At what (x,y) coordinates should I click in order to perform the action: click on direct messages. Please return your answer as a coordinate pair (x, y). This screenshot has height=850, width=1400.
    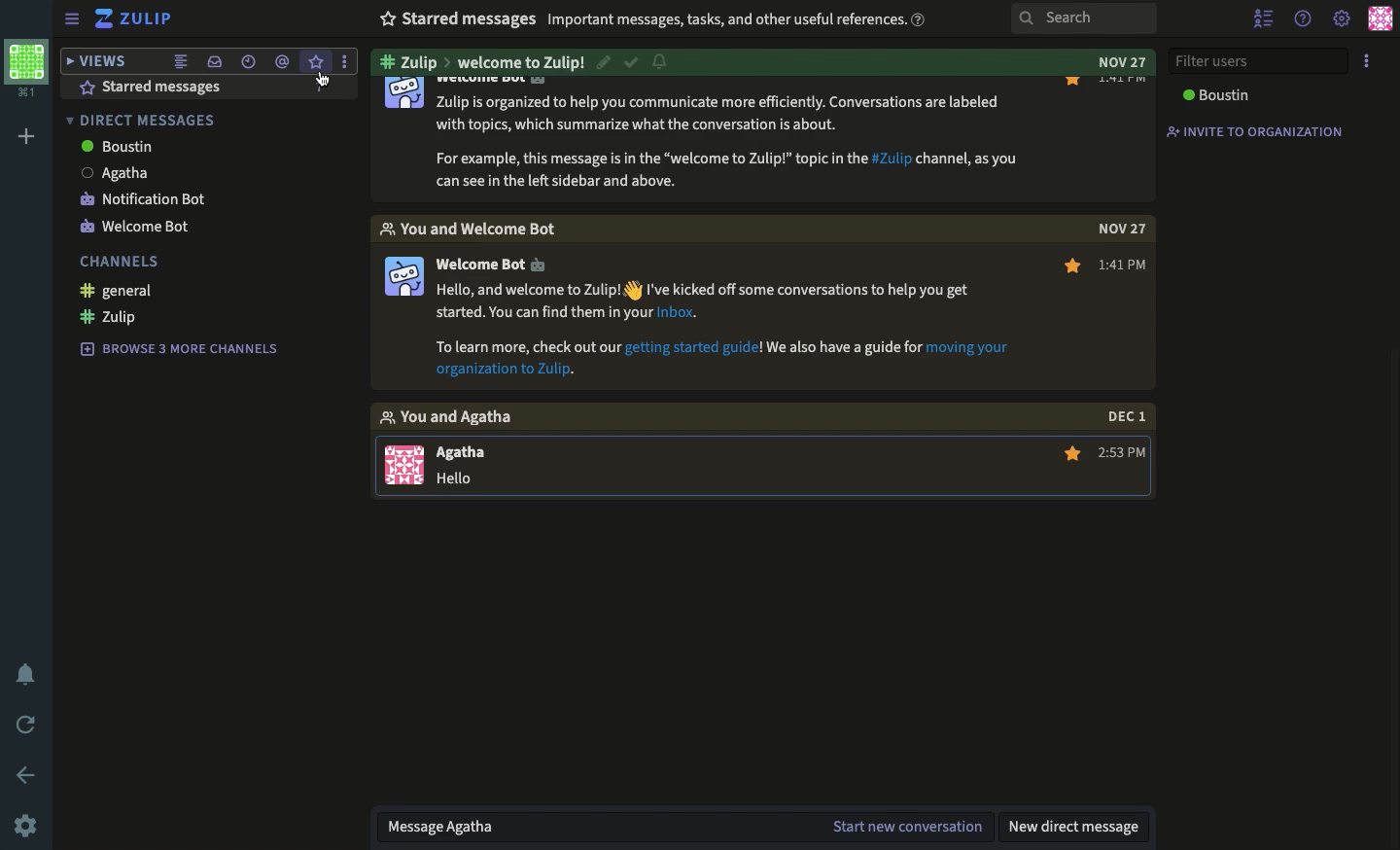
    Looking at the image, I should click on (144, 120).